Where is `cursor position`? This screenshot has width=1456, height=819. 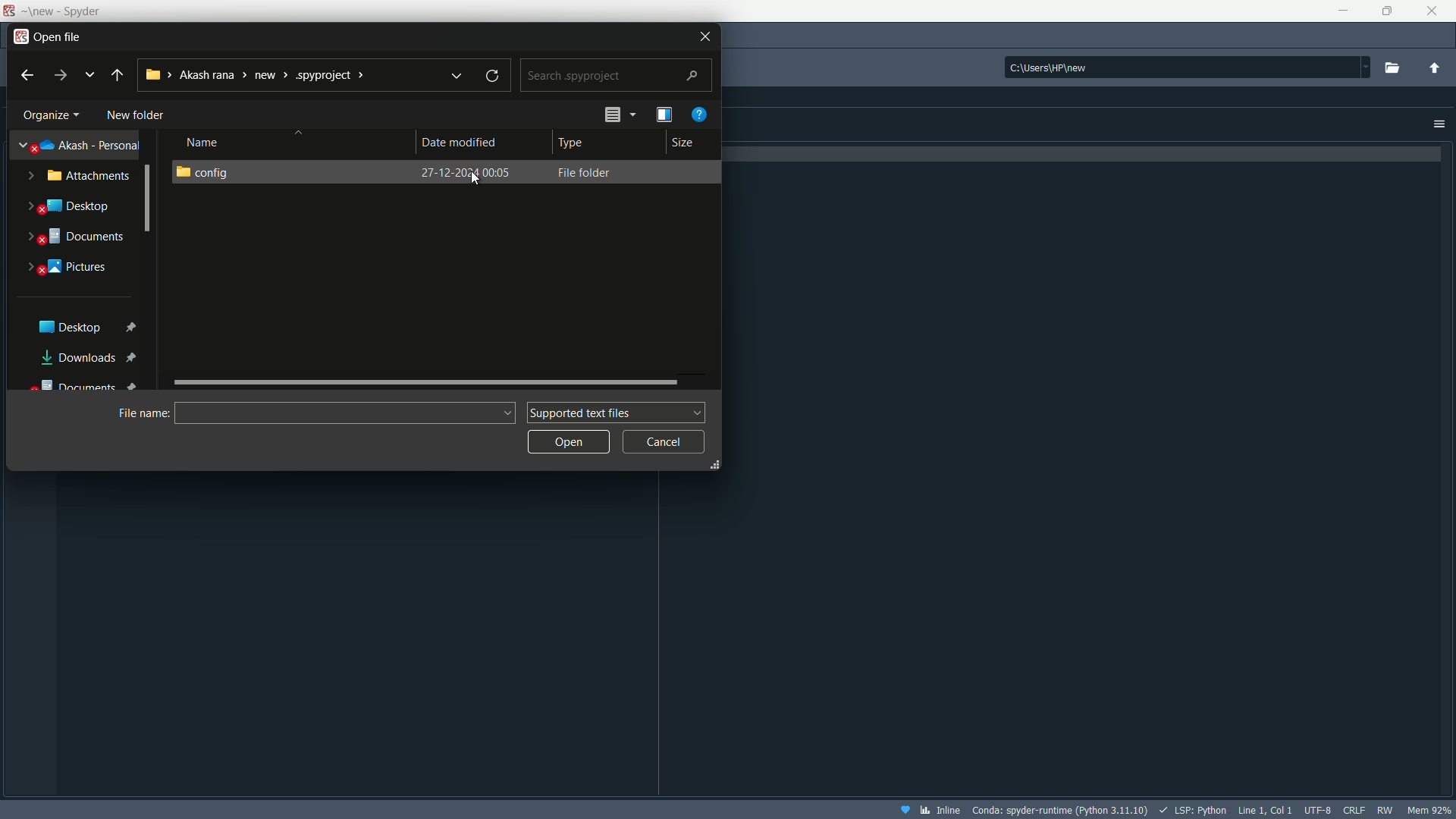
cursor position is located at coordinates (1266, 810).